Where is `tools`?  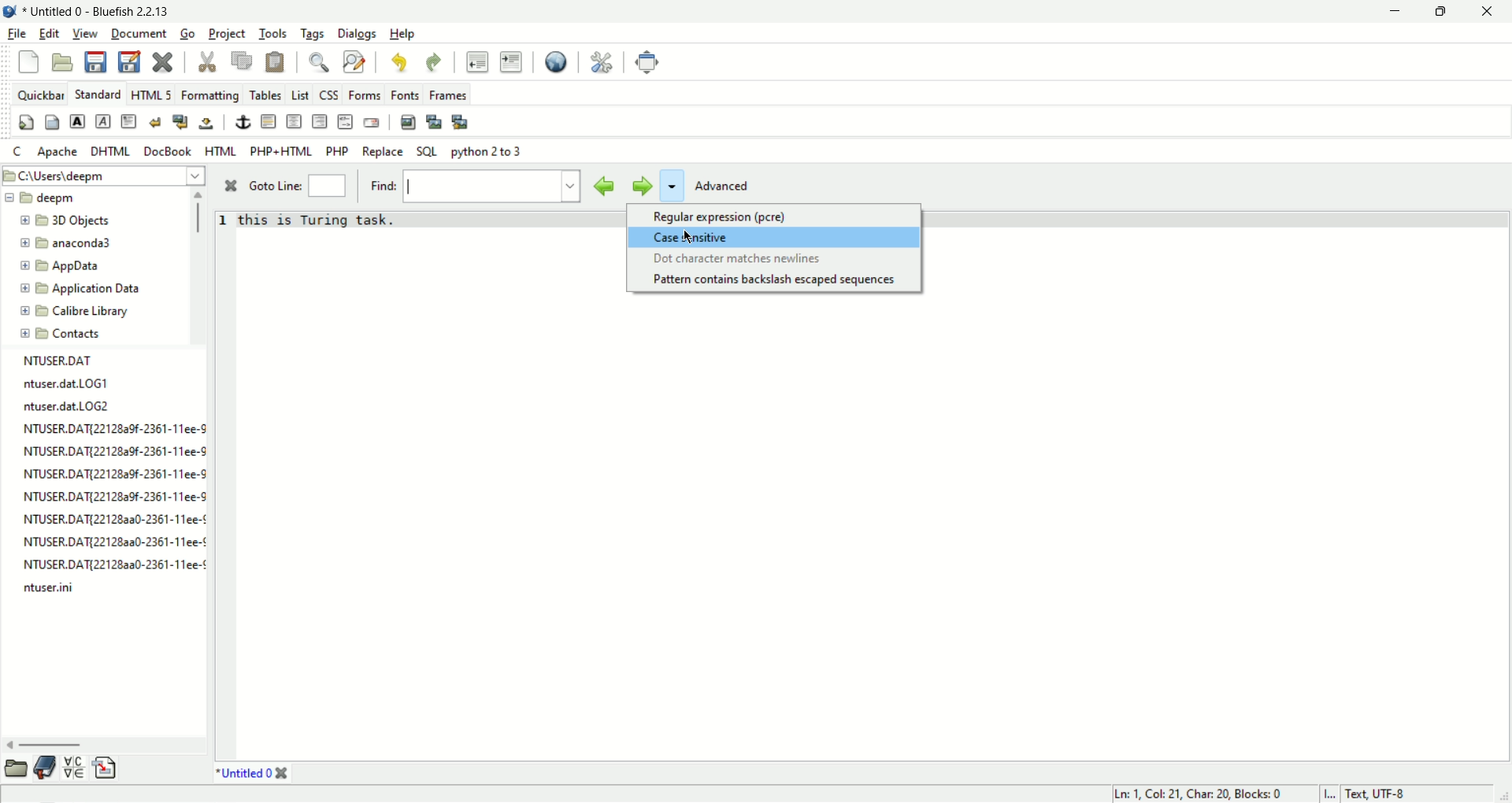
tools is located at coordinates (273, 34).